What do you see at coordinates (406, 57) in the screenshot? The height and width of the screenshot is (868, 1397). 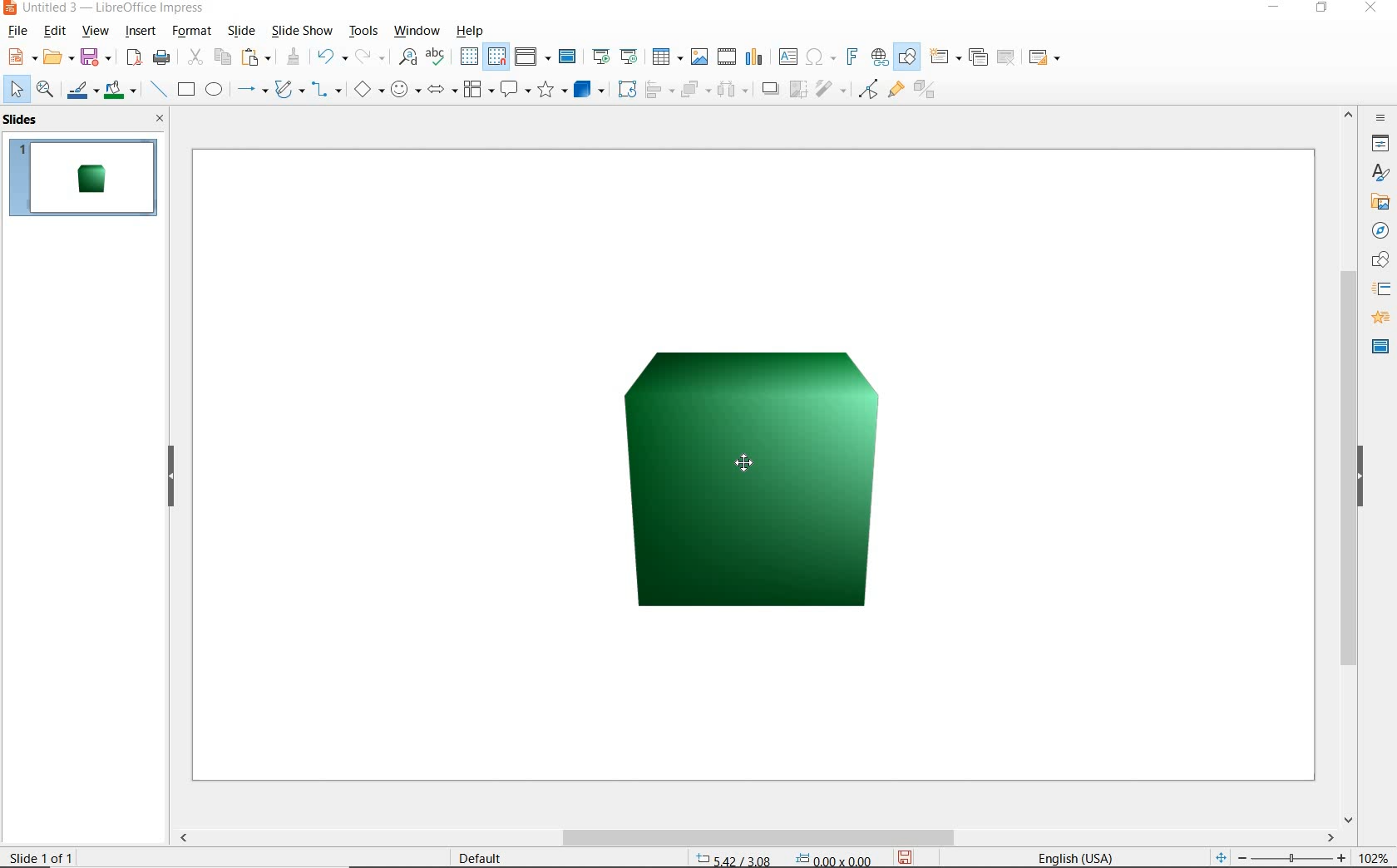 I see `find and replace` at bounding box center [406, 57].